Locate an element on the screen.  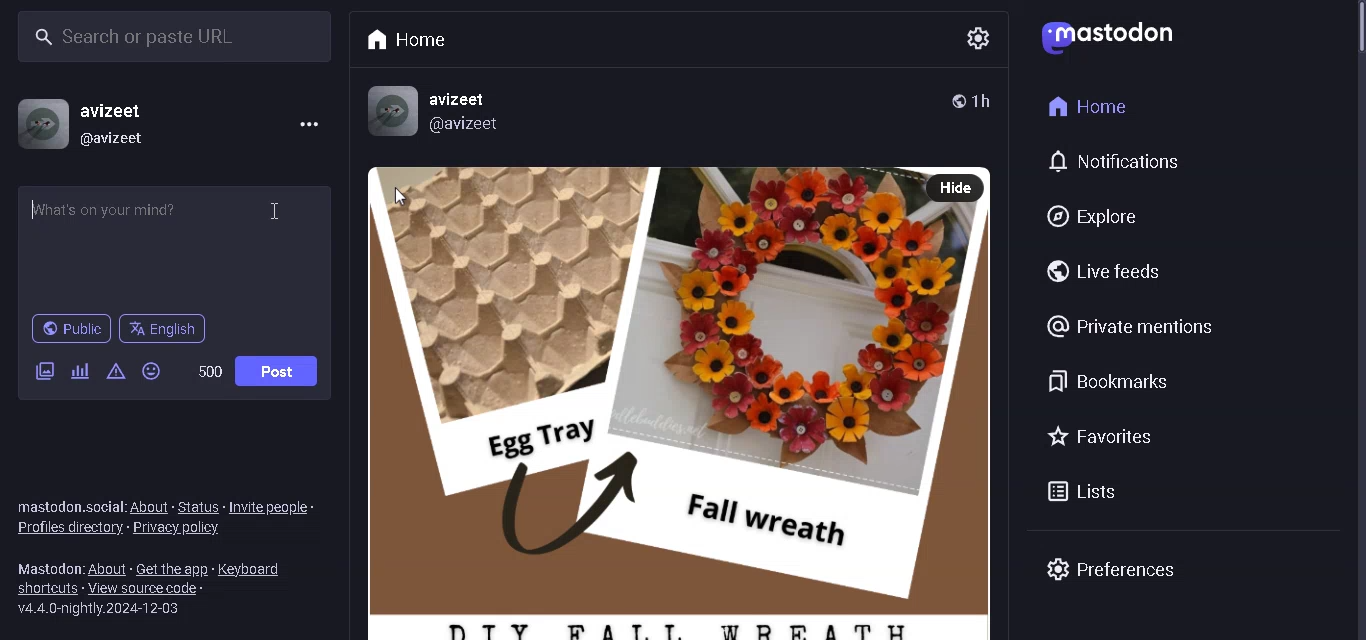
LOGO is located at coordinates (1113, 36).